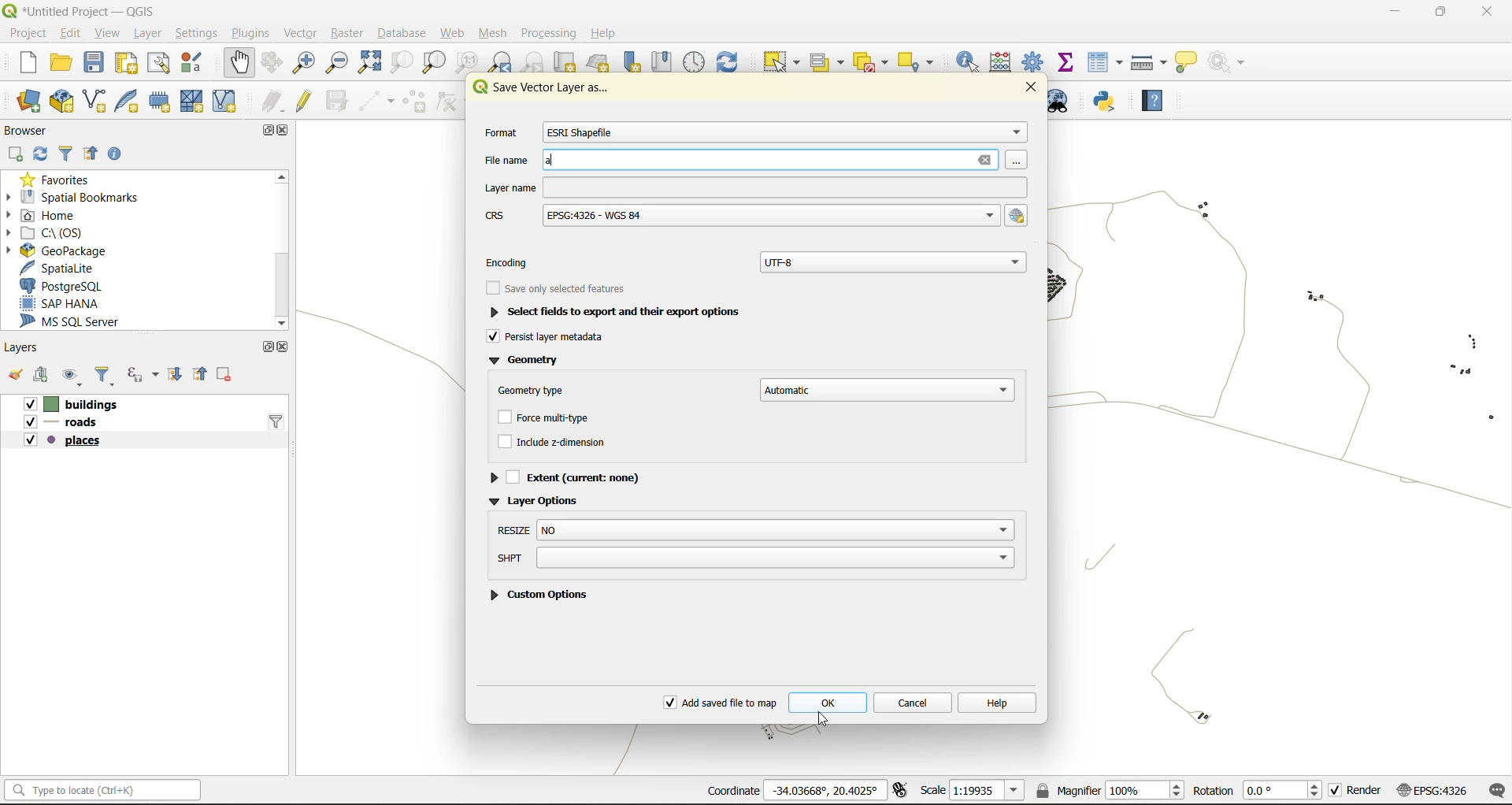 This screenshot has width=1512, height=805. Describe the element at coordinates (1112, 789) in the screenshot. I see `magnifier` at that location.